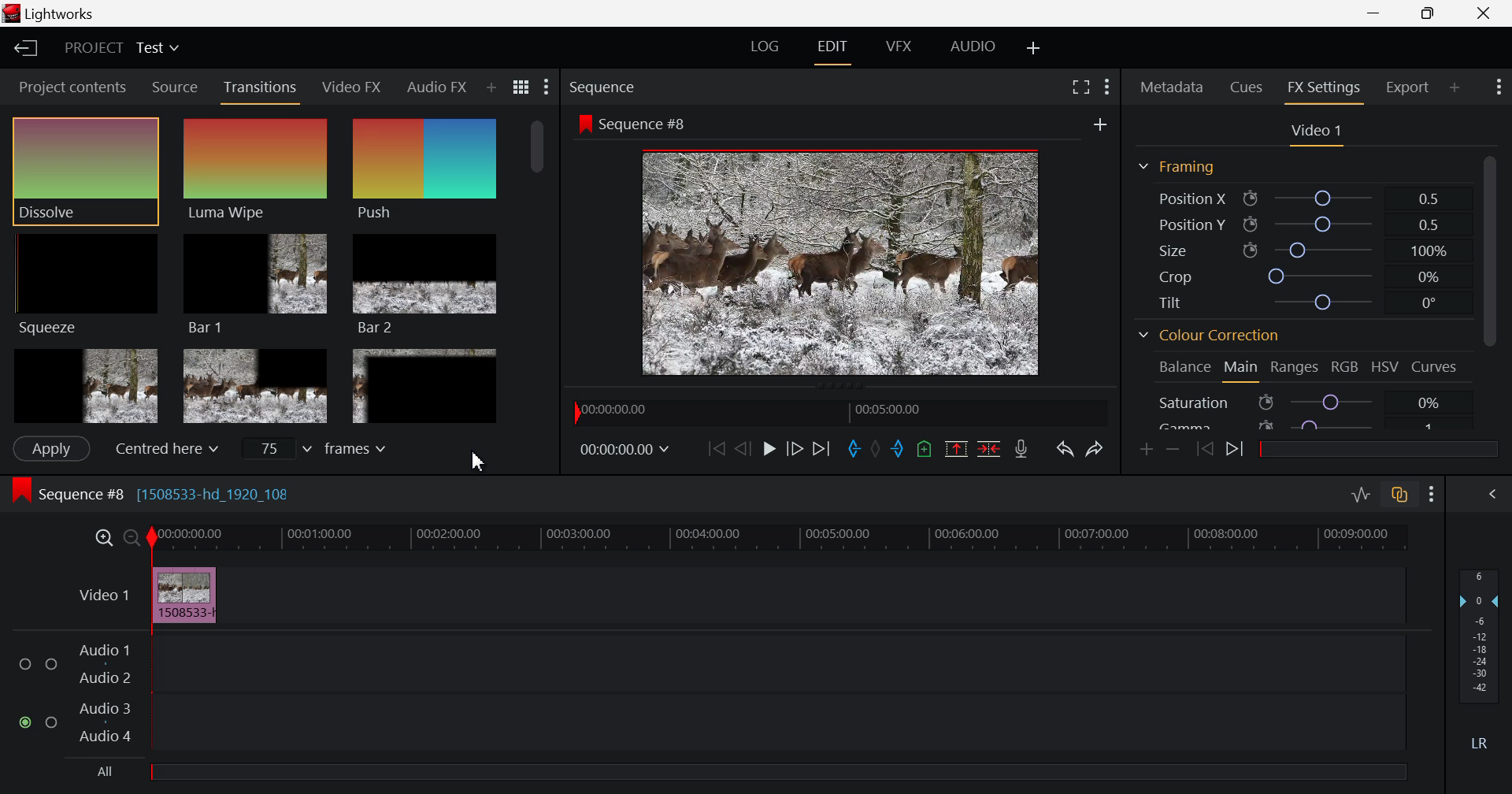 The width and height of the screenshot is (1512, 794). Describe the element at coordinates (520, 87) in the screenshot. I see `toggle list and title view` at that location.